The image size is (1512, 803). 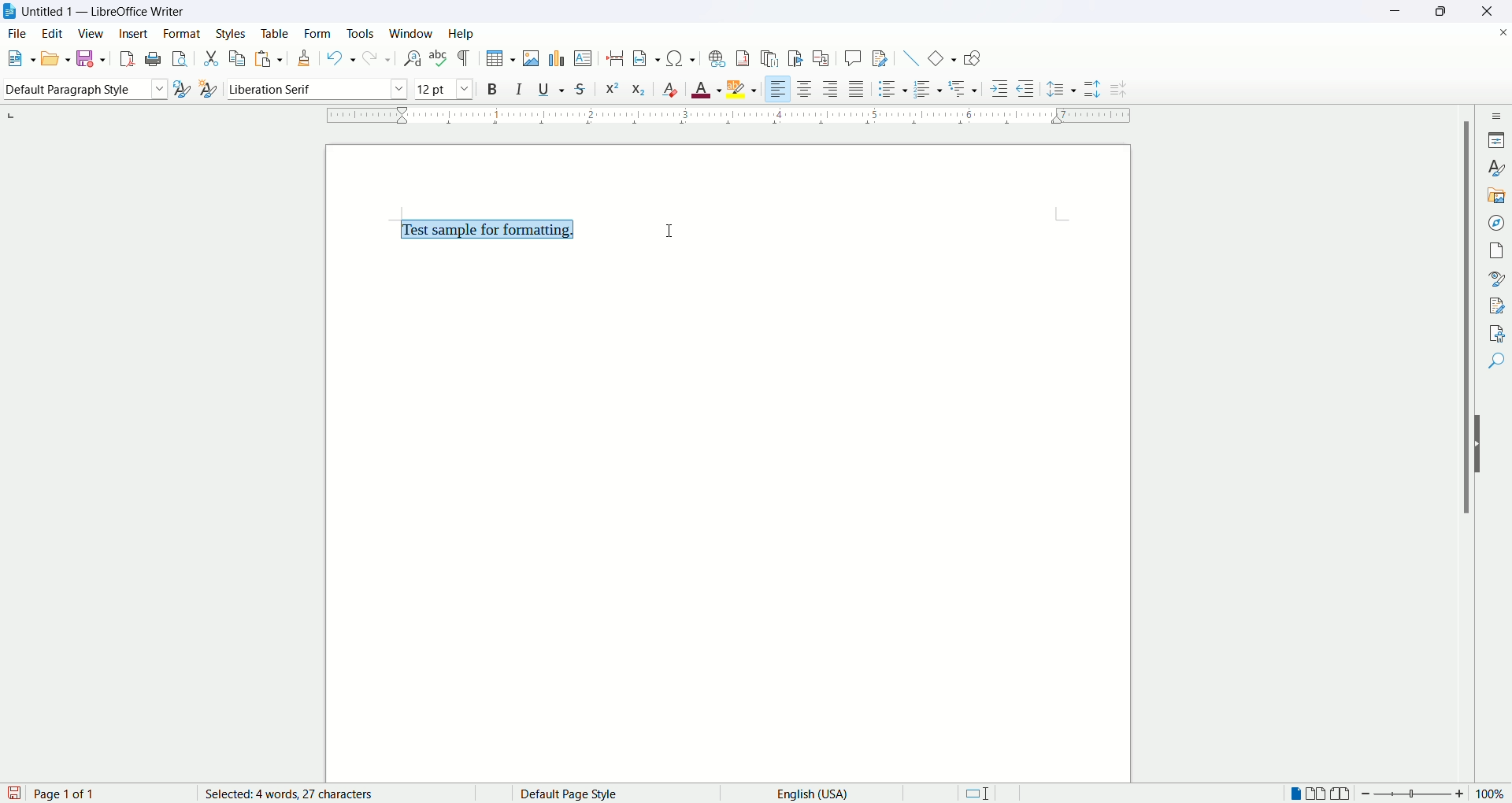 What do you see at coordinates (803, 90) in the screenshot?
I see `align center` at bounding box center [803, 90].